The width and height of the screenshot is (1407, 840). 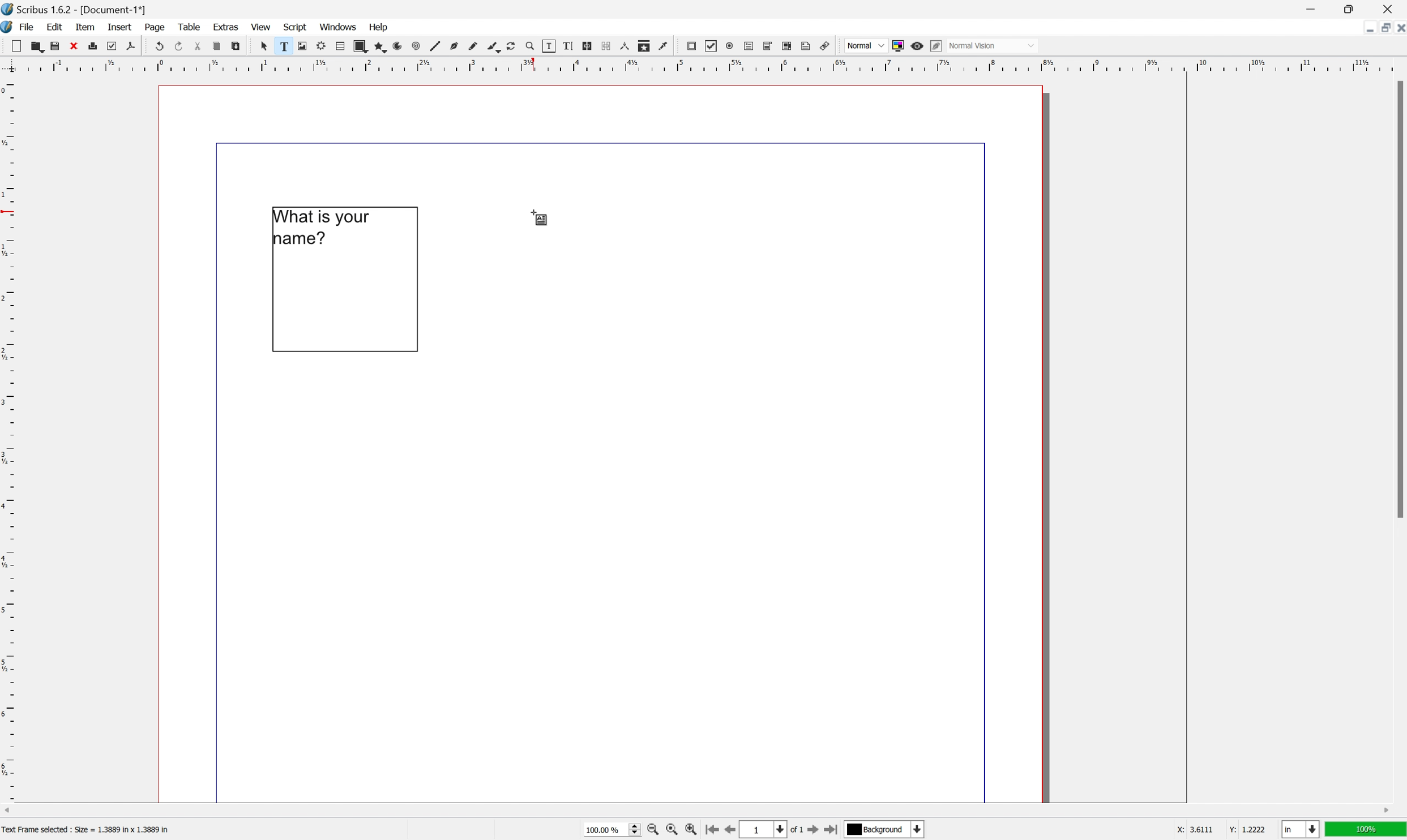 What do you see at coordinates (74, 45) in the screenshot?
I see `close` at bounding box center [74, 45].